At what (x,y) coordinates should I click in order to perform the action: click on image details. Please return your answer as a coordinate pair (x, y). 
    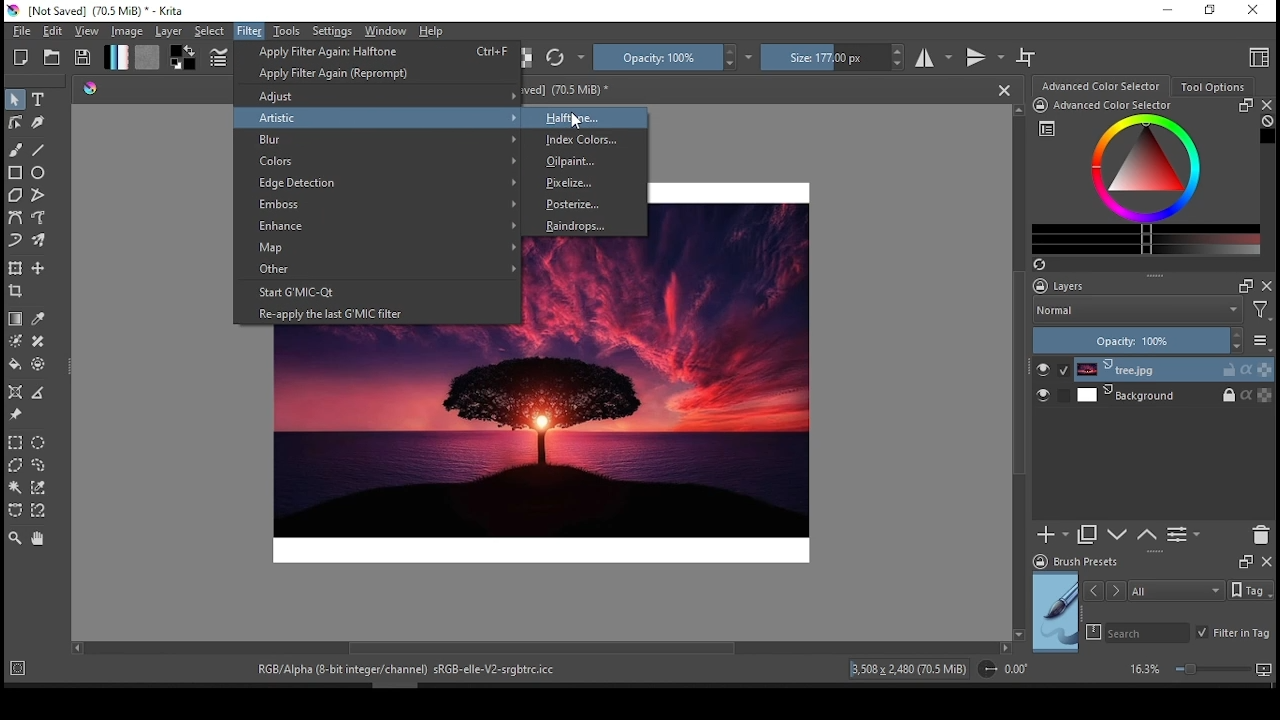
    Looking at the image, I should click on (910, 669).